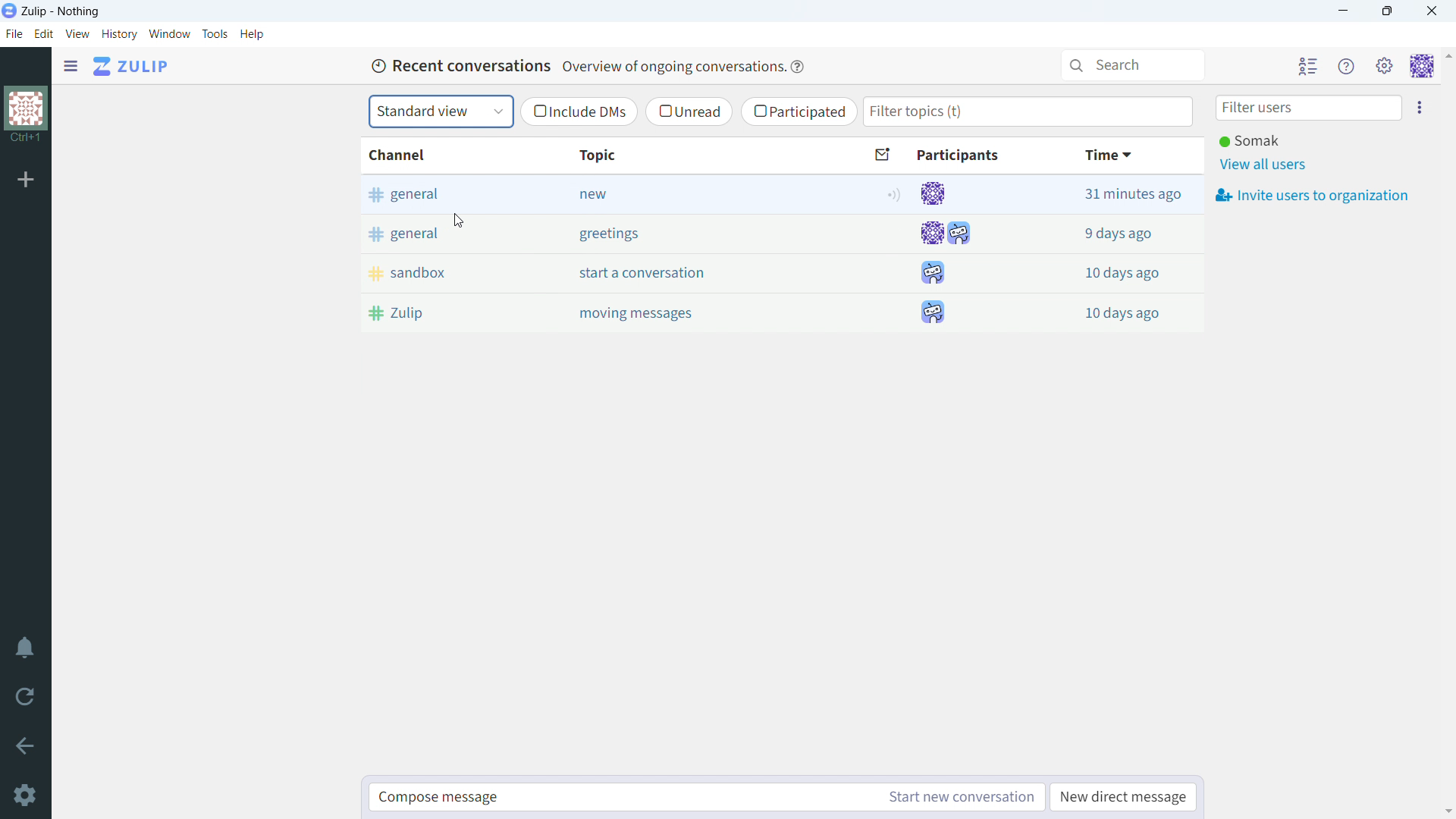  What do you see at coordinates (458, 221) in the screenshot?
I see `cursor` at bounding box center [458, 221].